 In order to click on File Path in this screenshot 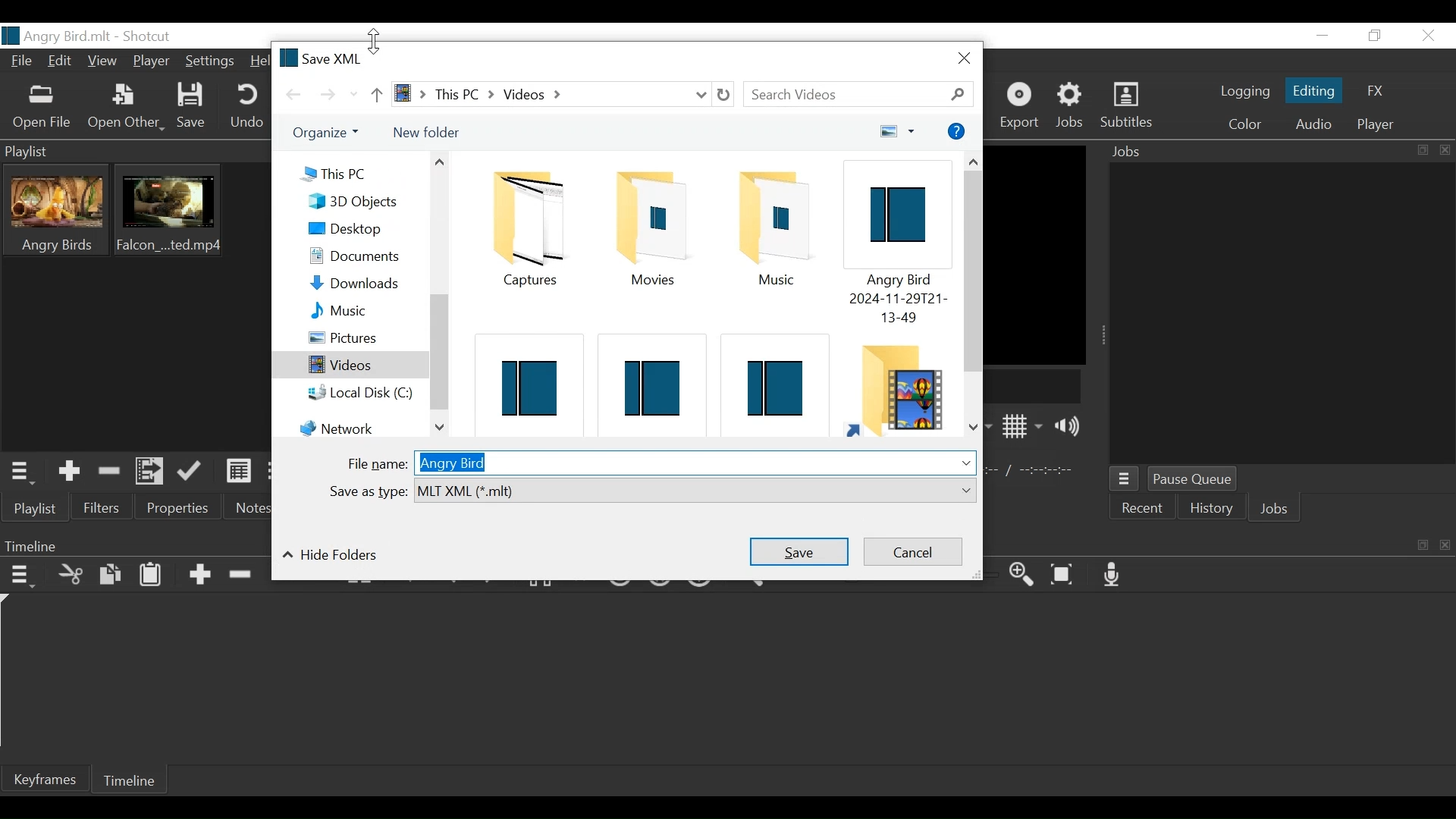, I will do `click(548, 95)`.